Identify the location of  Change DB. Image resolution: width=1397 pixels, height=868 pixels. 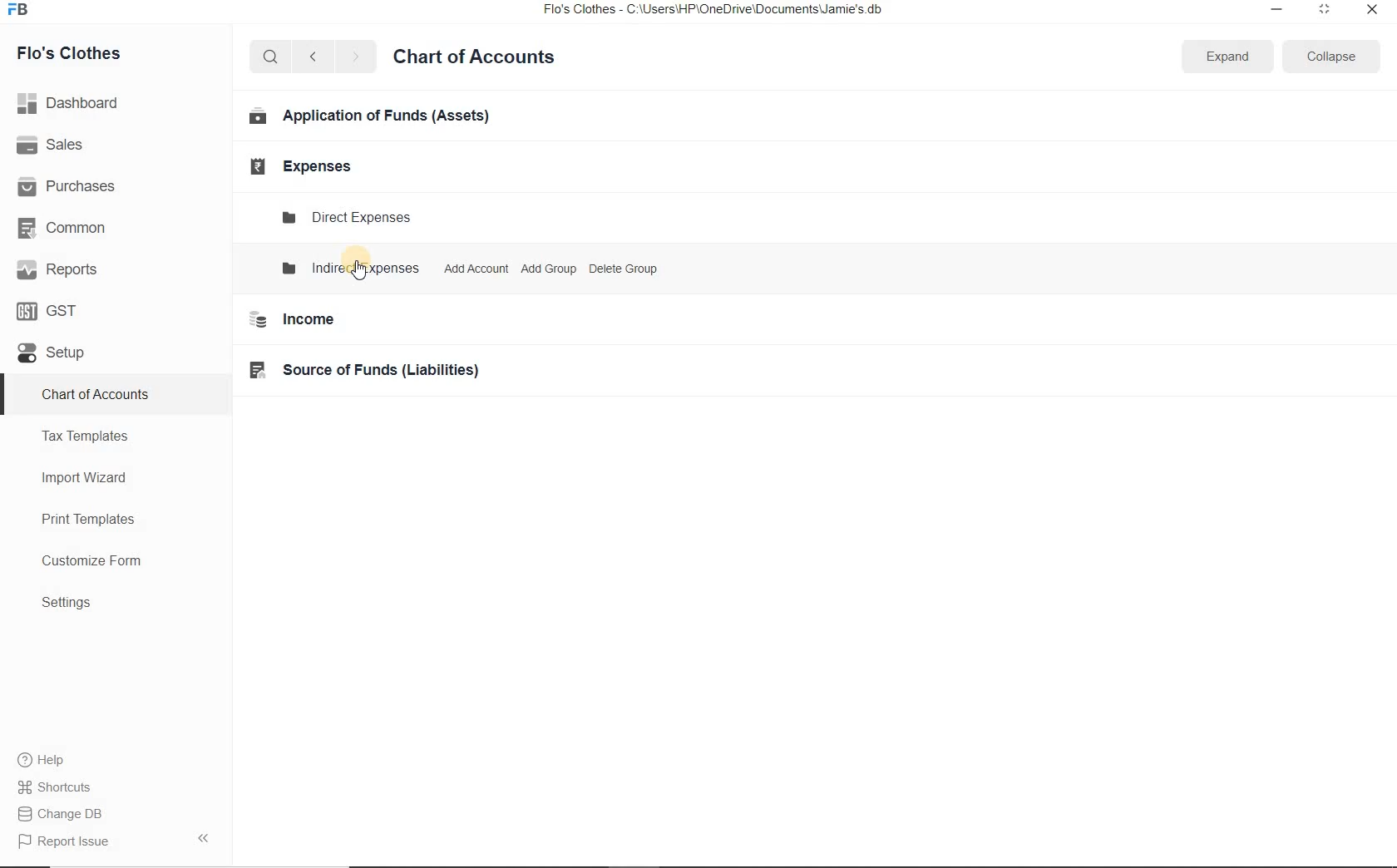
(70, 813).